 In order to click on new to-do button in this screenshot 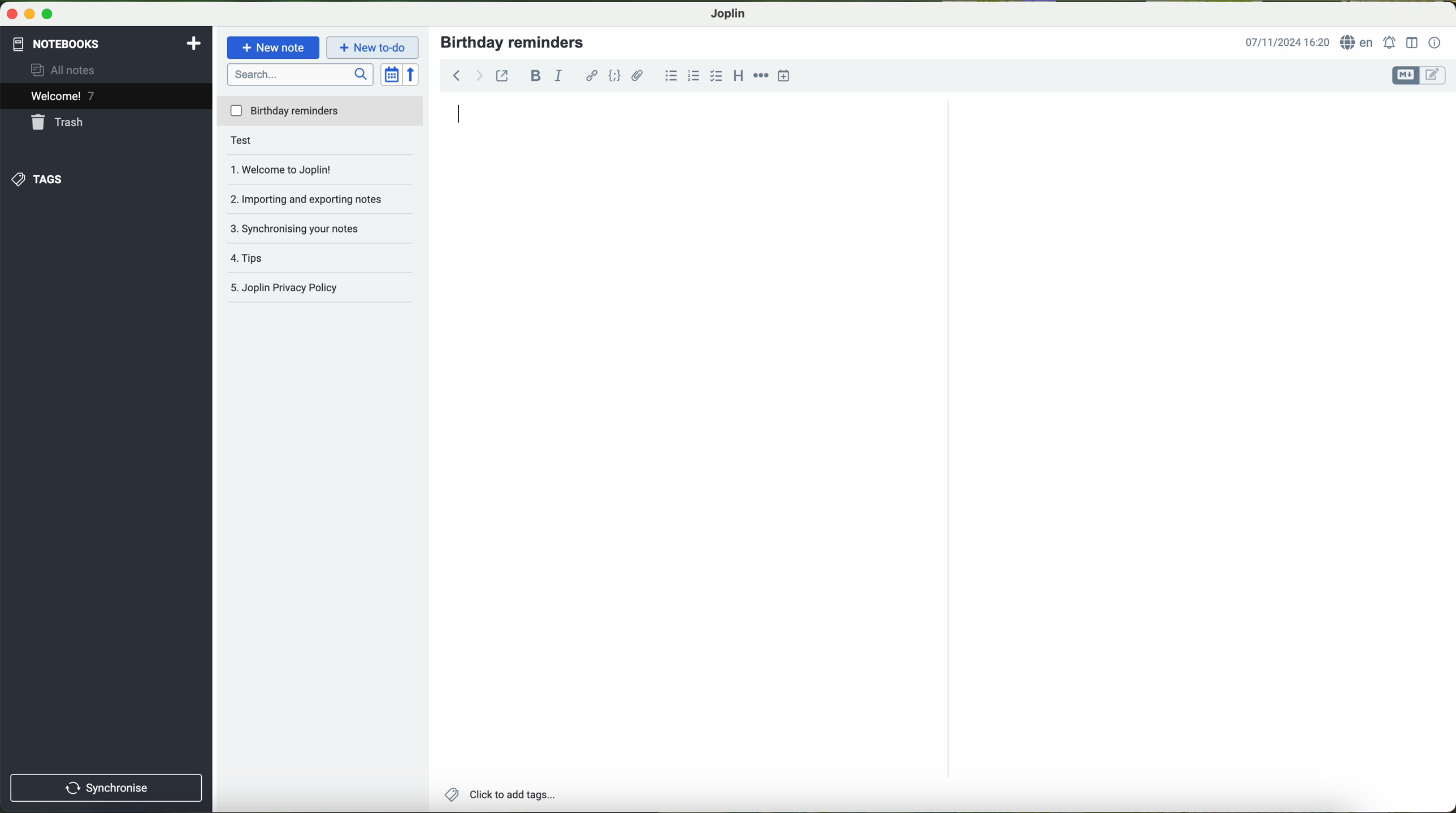, I will do `click(373, 49)`.